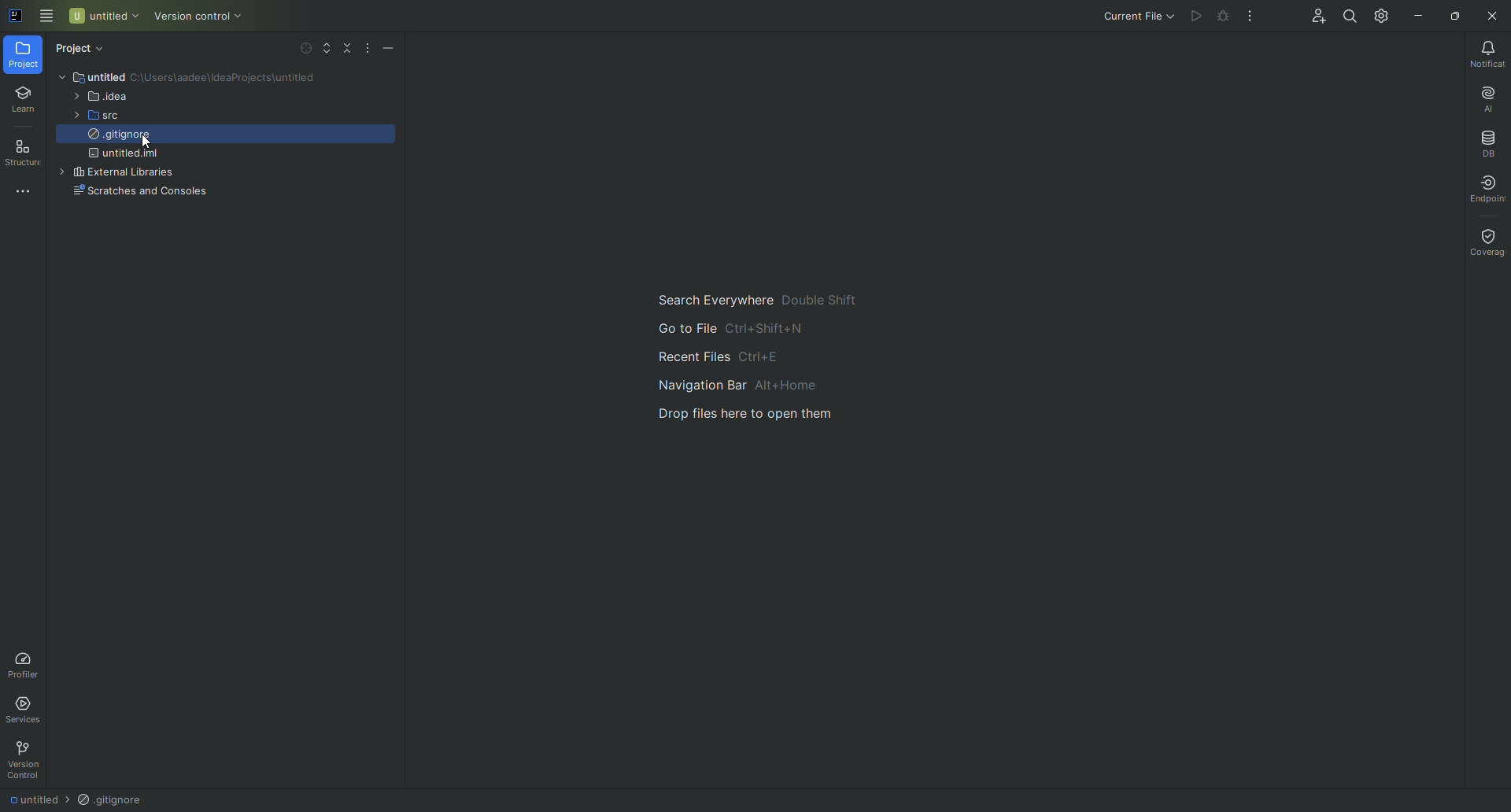 The height and width of the screenshot is (812, 1511). I want to click on Scratches and Console, so click(139, 194).